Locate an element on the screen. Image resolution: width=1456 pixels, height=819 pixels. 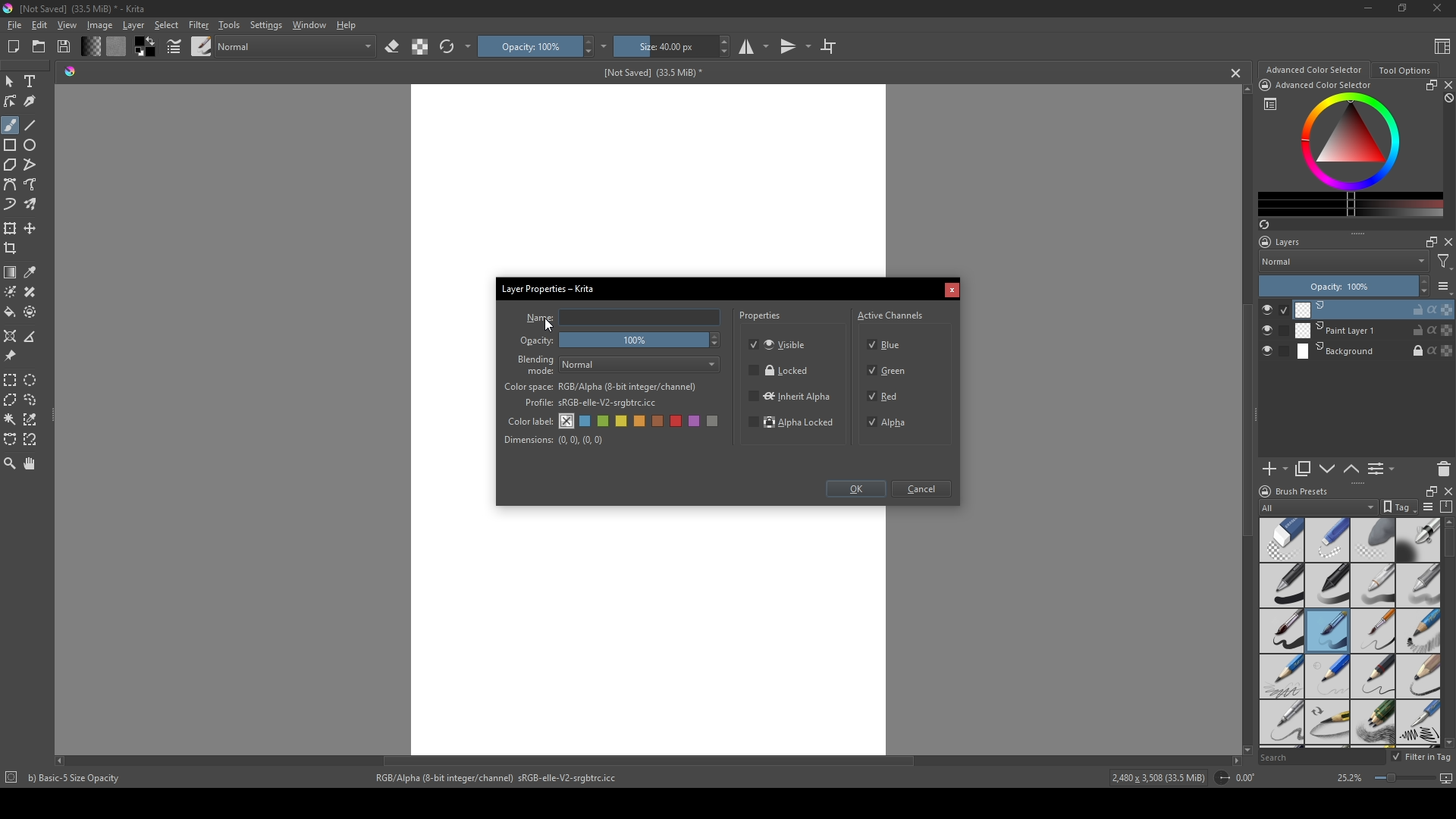
Blending mode - normal is located at coordinates (536, 364).